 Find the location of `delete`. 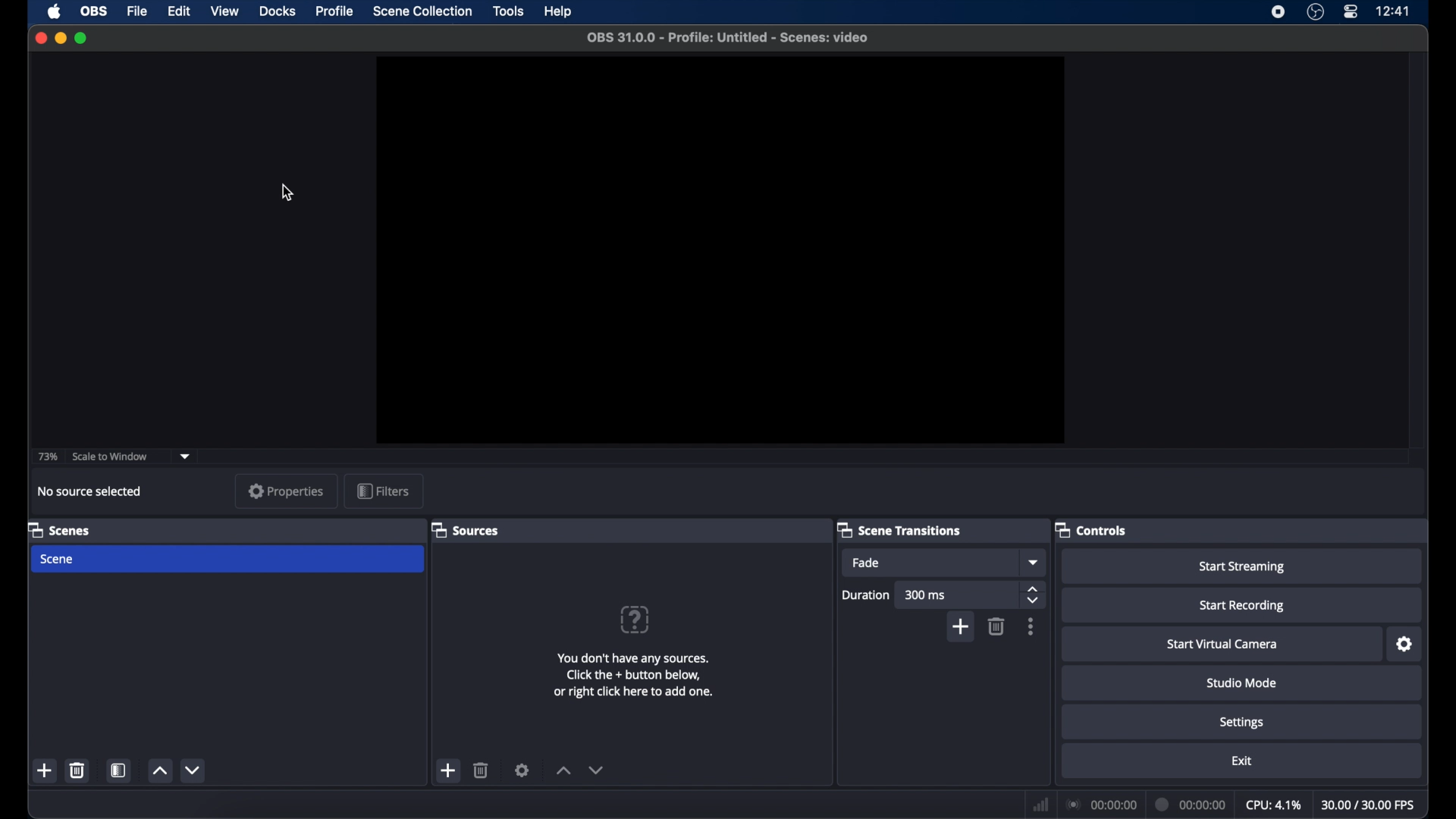

delete is located at coordinates (483, 770).